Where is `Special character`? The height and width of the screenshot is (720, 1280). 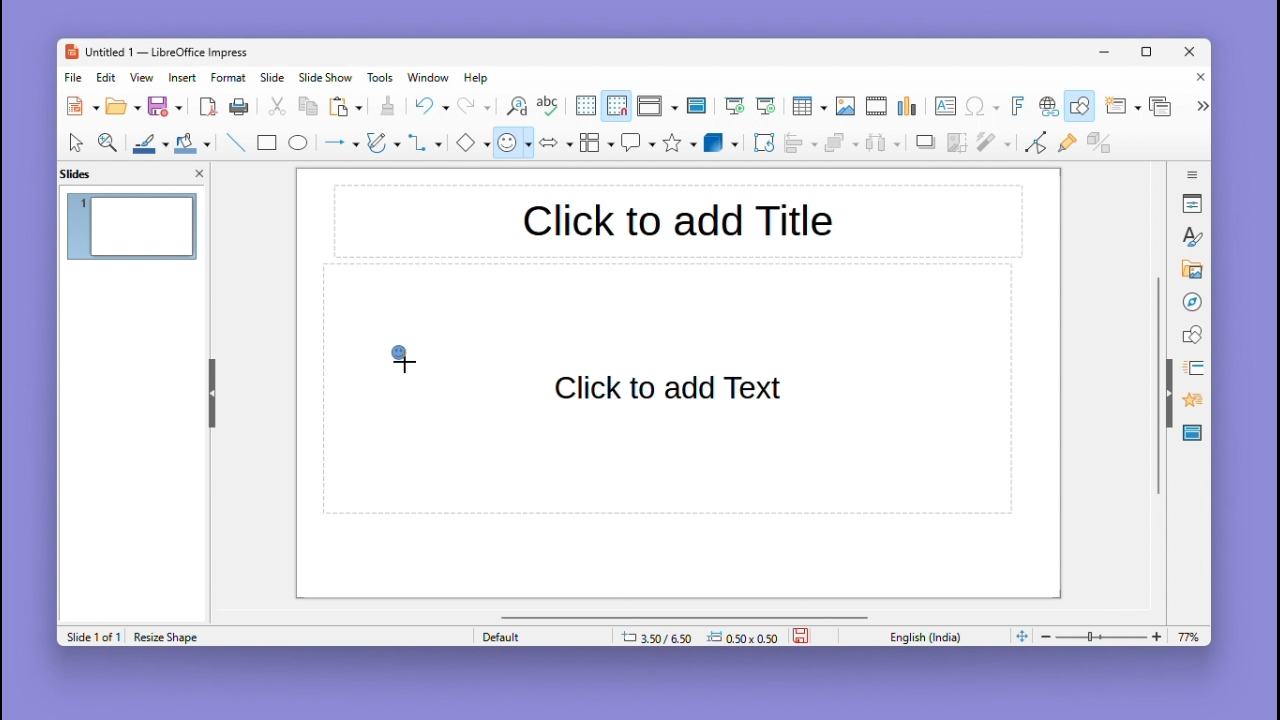
Special character is located at coordinates (983, 108).